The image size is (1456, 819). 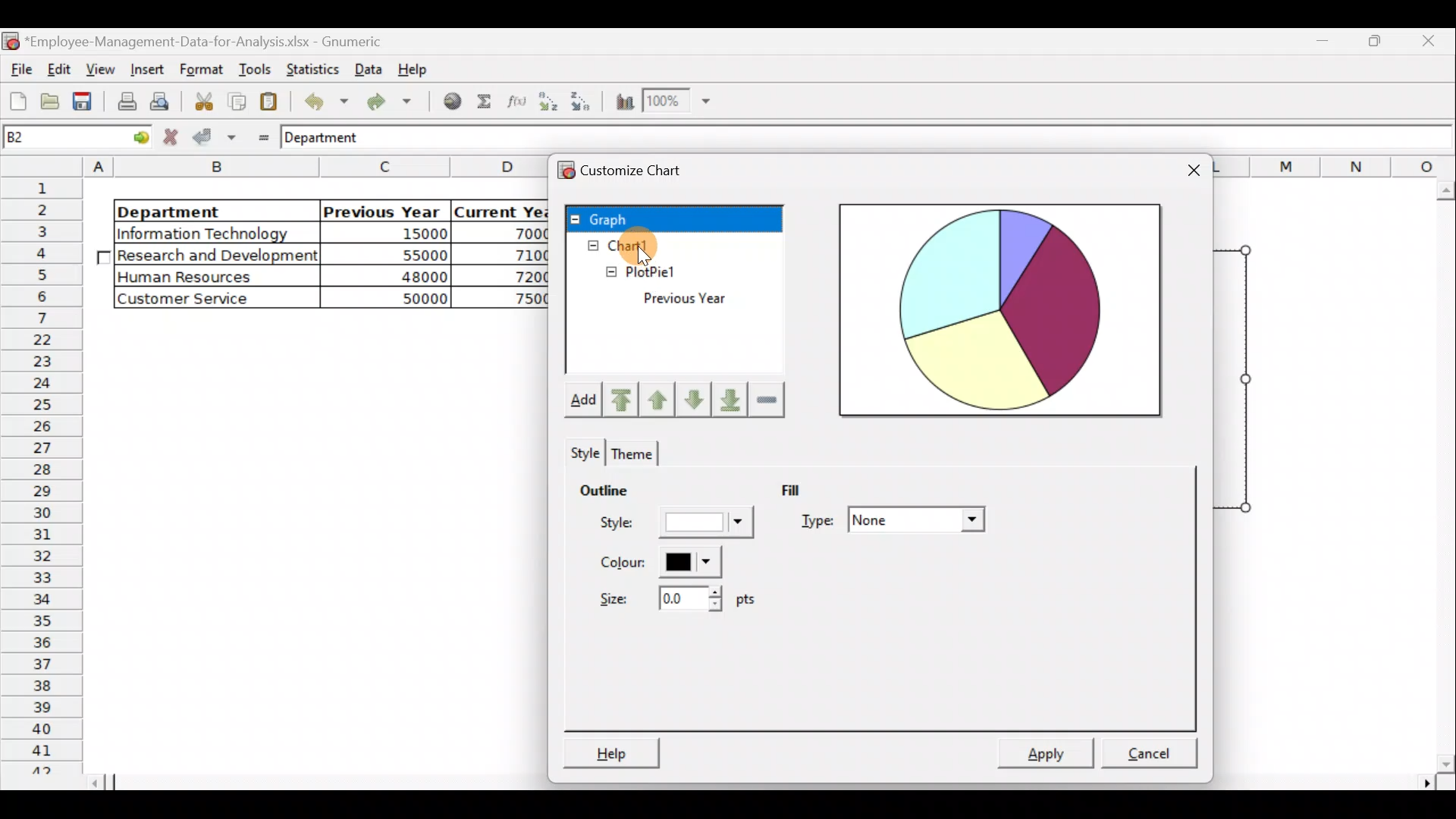 What do you see at coordinates (518, 233) in the screenshot?
I see `70000` at bounding box center [518, 233].